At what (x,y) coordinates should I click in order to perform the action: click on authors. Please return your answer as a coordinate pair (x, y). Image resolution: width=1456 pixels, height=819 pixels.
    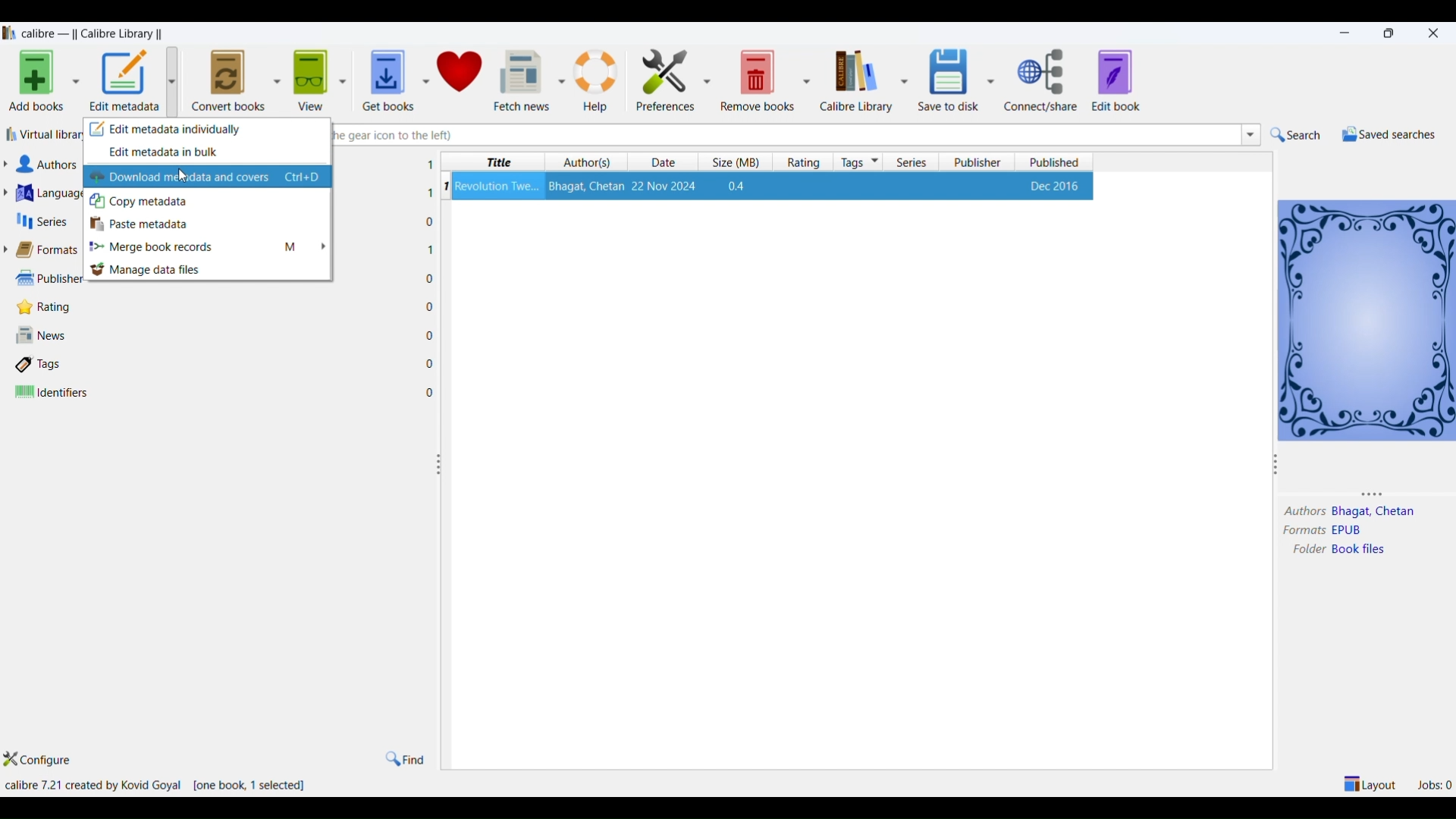
    Looking at the image, I should click on (1304, 512).